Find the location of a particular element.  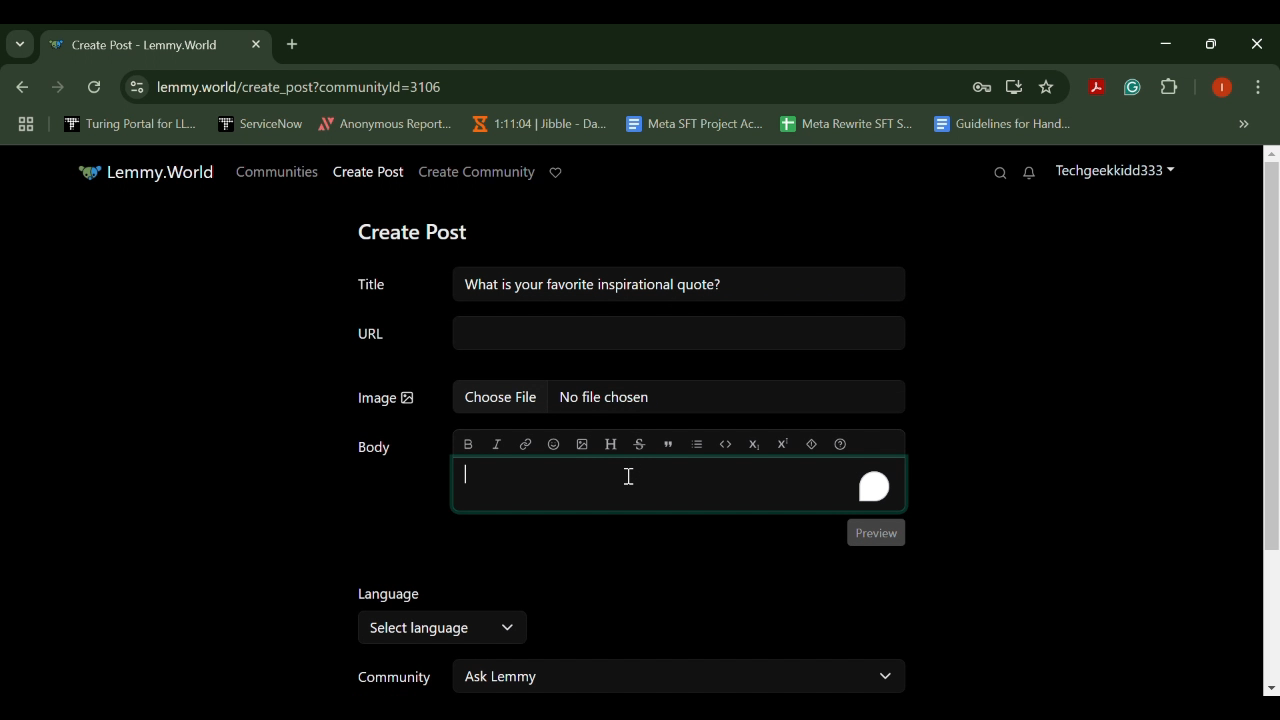

formatting help is located at coordinates (839, 442).